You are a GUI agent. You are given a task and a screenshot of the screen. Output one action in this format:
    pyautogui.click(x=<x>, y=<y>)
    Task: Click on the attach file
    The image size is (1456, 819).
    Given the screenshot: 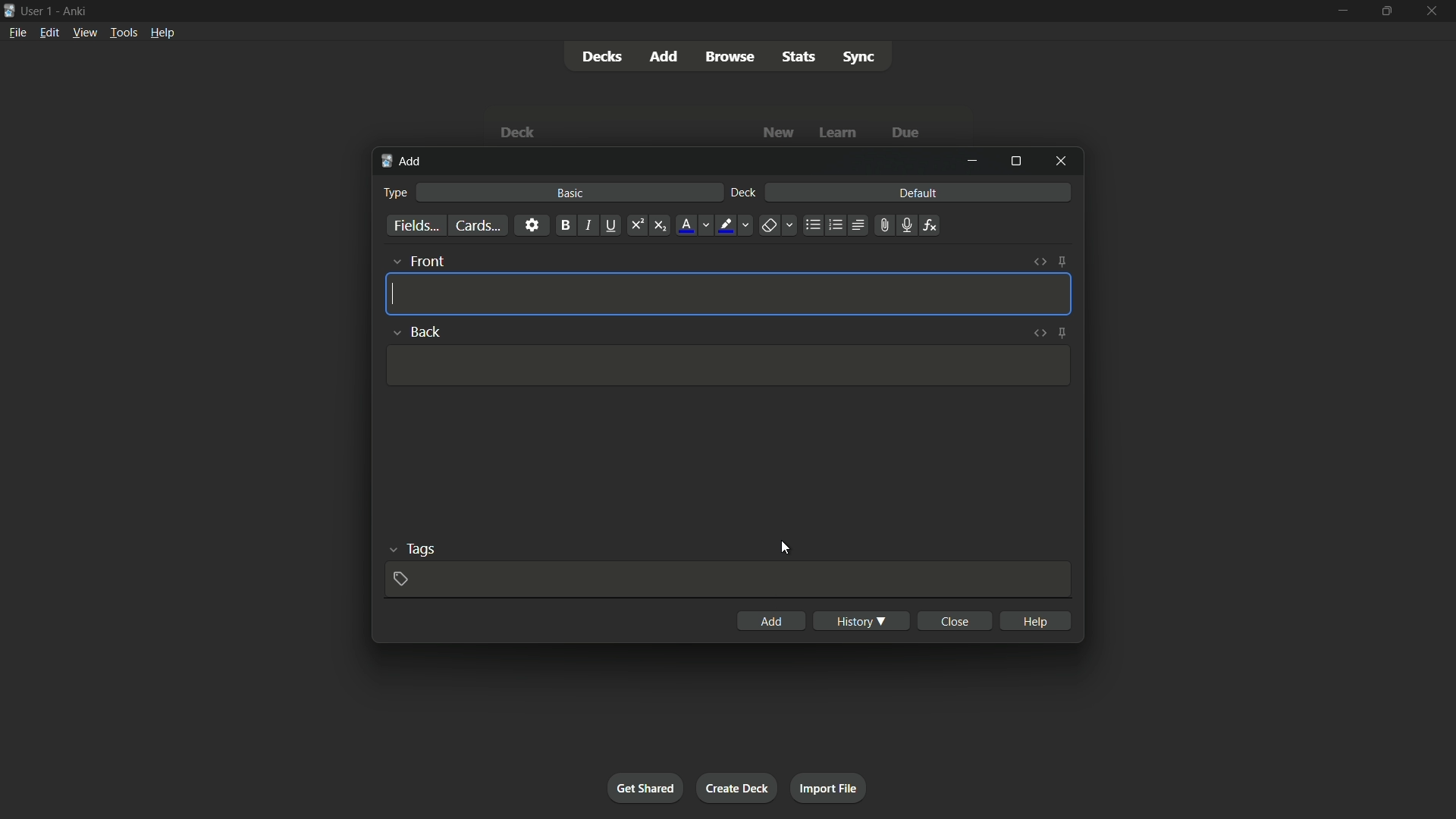 What is the action you would take?
    pyautogui.click(x=884, y=226)
    